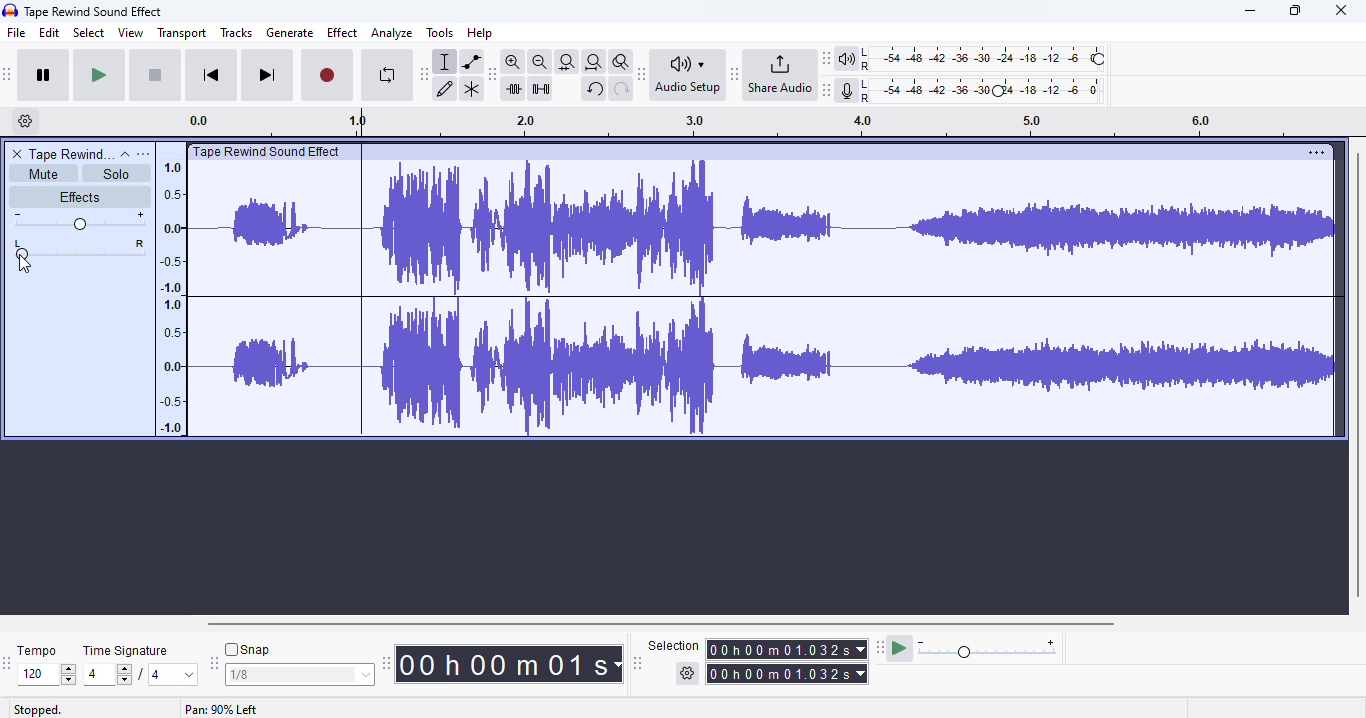 Image resolution: width=1366 pixels, height=718 pixels. What do you see at coordinates (72, 153) in the screenshot?
I see `track name` at bounding box center [72, 153].